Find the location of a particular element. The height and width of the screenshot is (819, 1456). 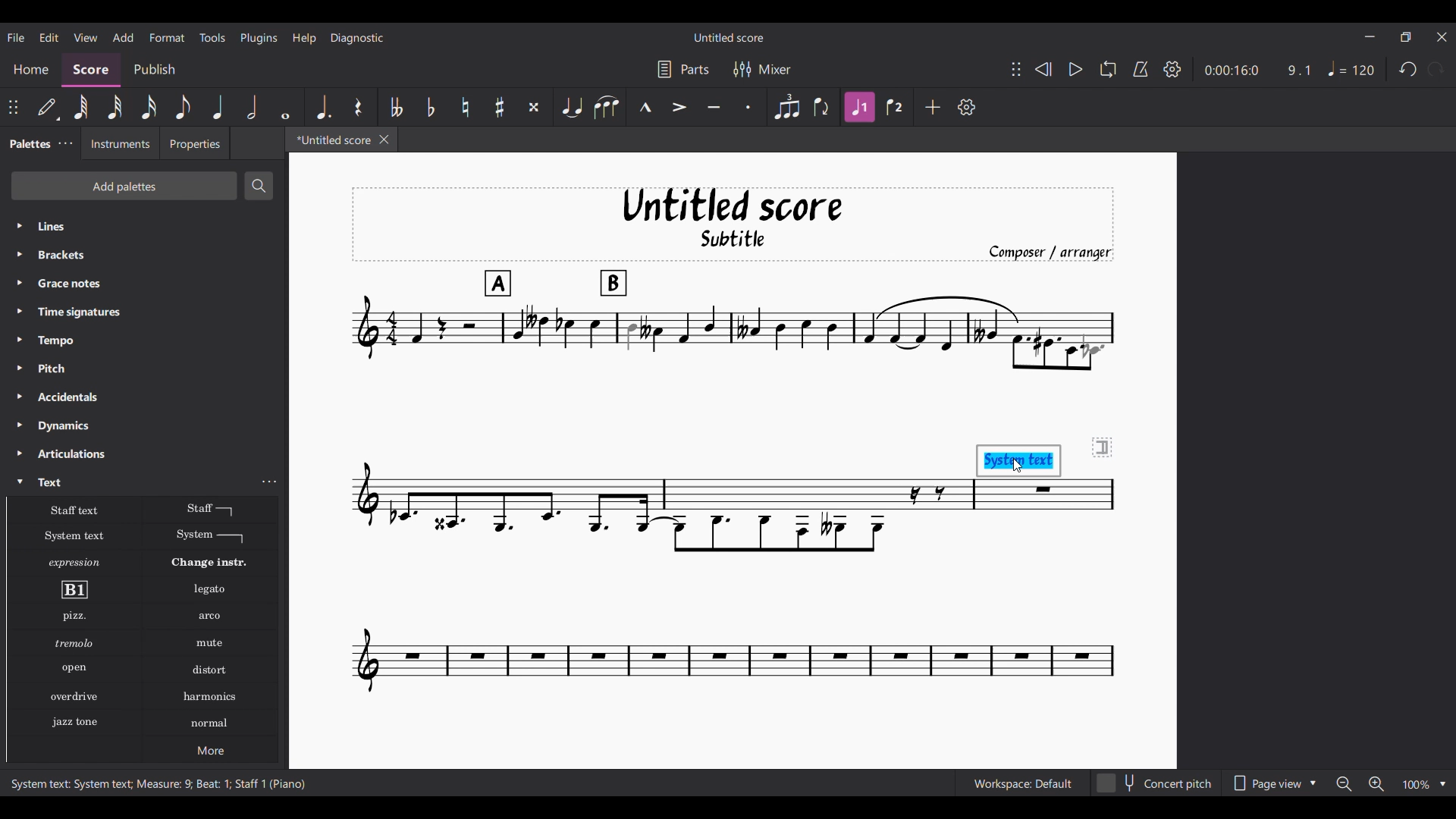

Brackets is located at coordinates (143, 255).